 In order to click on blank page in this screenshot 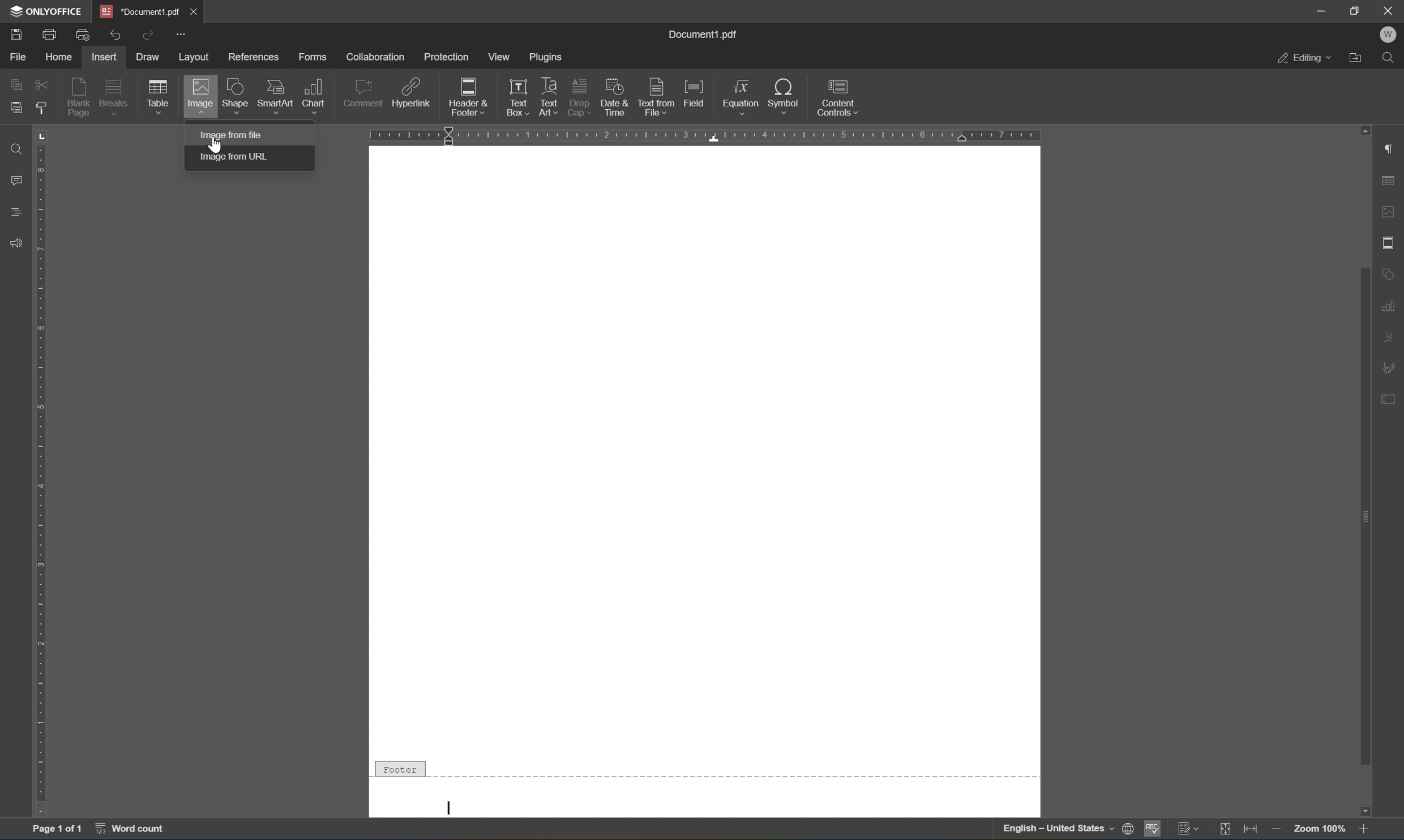, I will do `click(79, 97)`.